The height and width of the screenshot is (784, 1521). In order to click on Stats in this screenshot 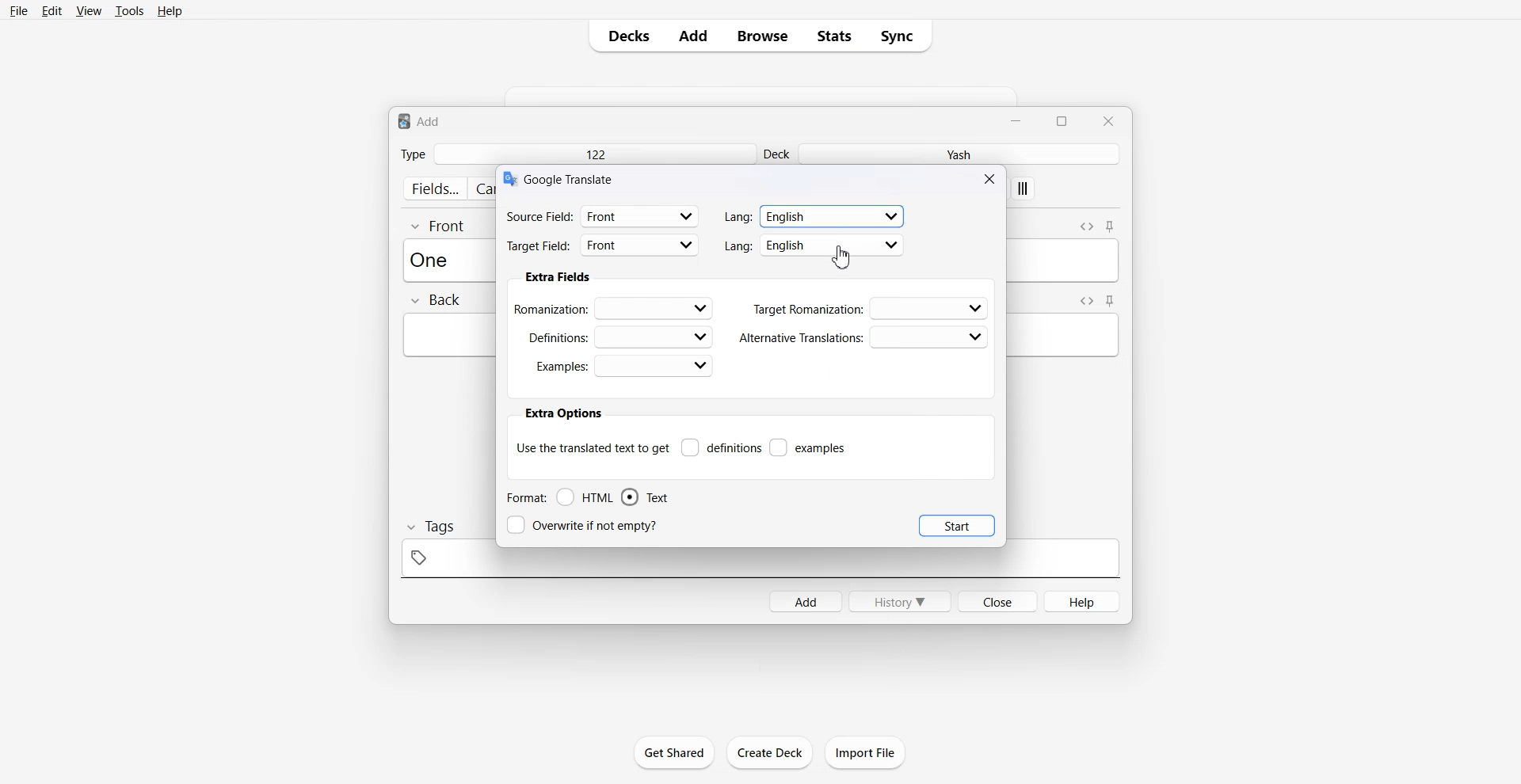, I will do `click(833, 36)`.